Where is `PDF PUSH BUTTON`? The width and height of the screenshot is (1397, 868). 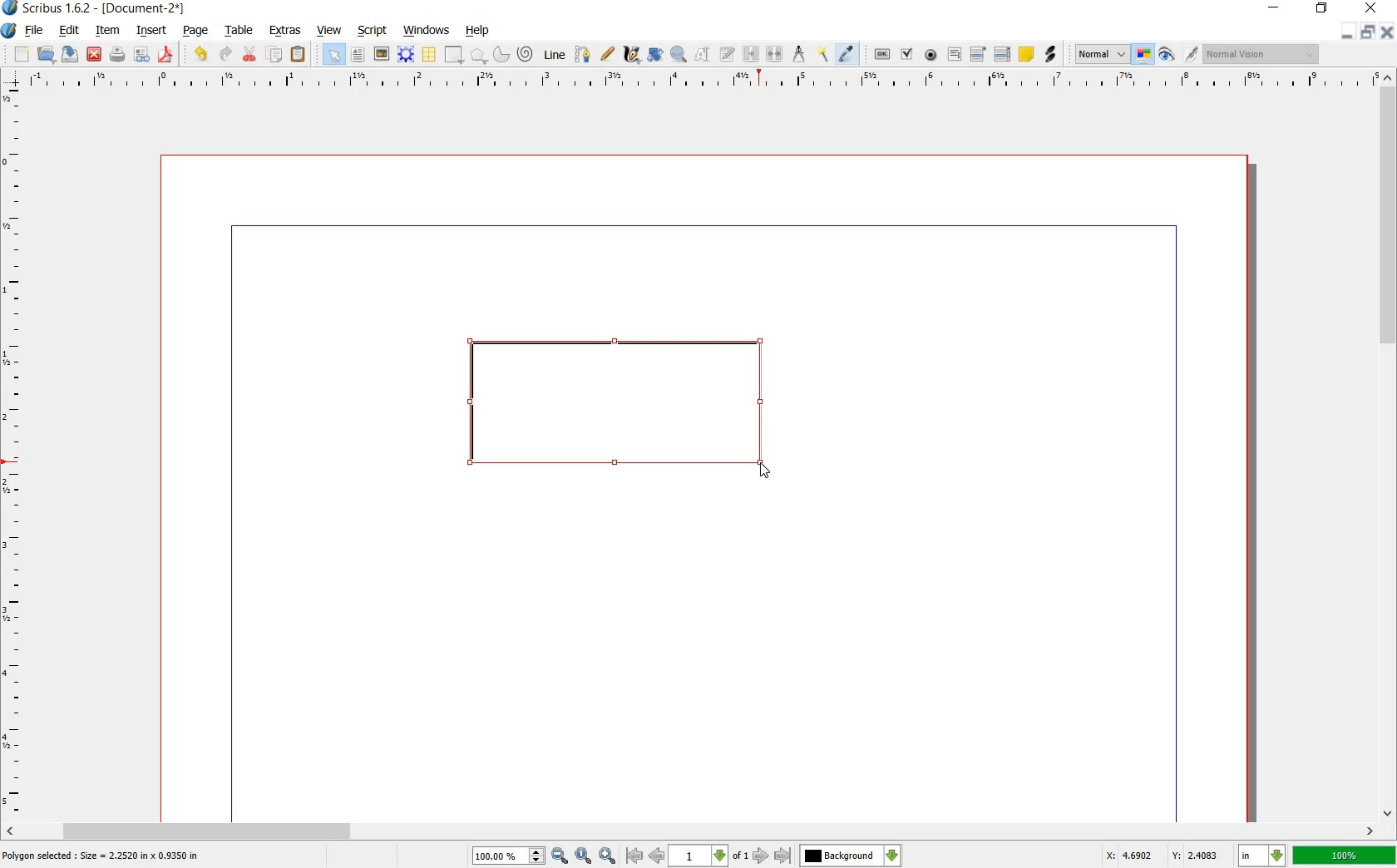 PDF PUSH BUTTON is located at coordinates (879, 54).